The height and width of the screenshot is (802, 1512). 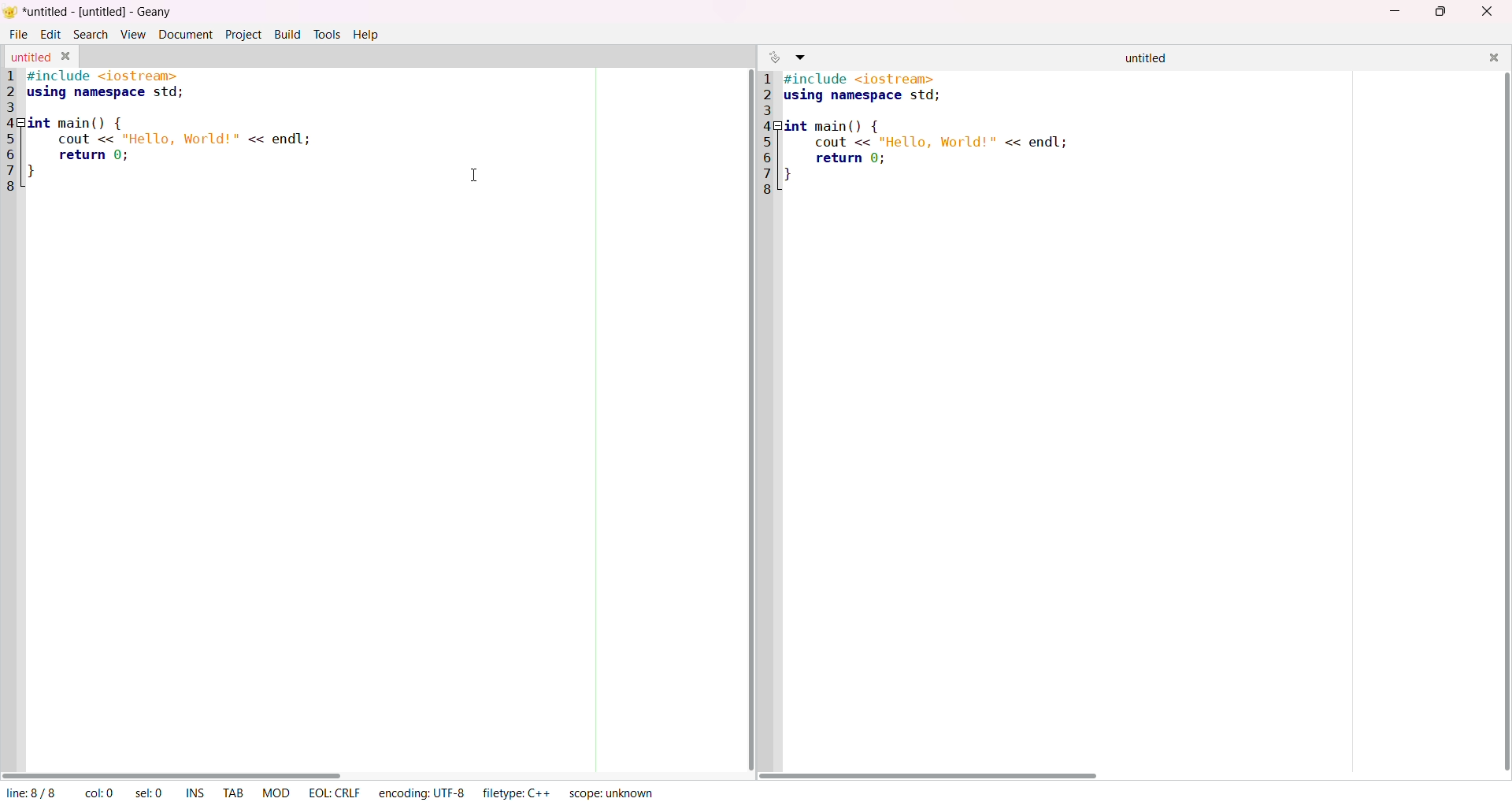 I want to click on minimize, so click(x=1392, y=13).